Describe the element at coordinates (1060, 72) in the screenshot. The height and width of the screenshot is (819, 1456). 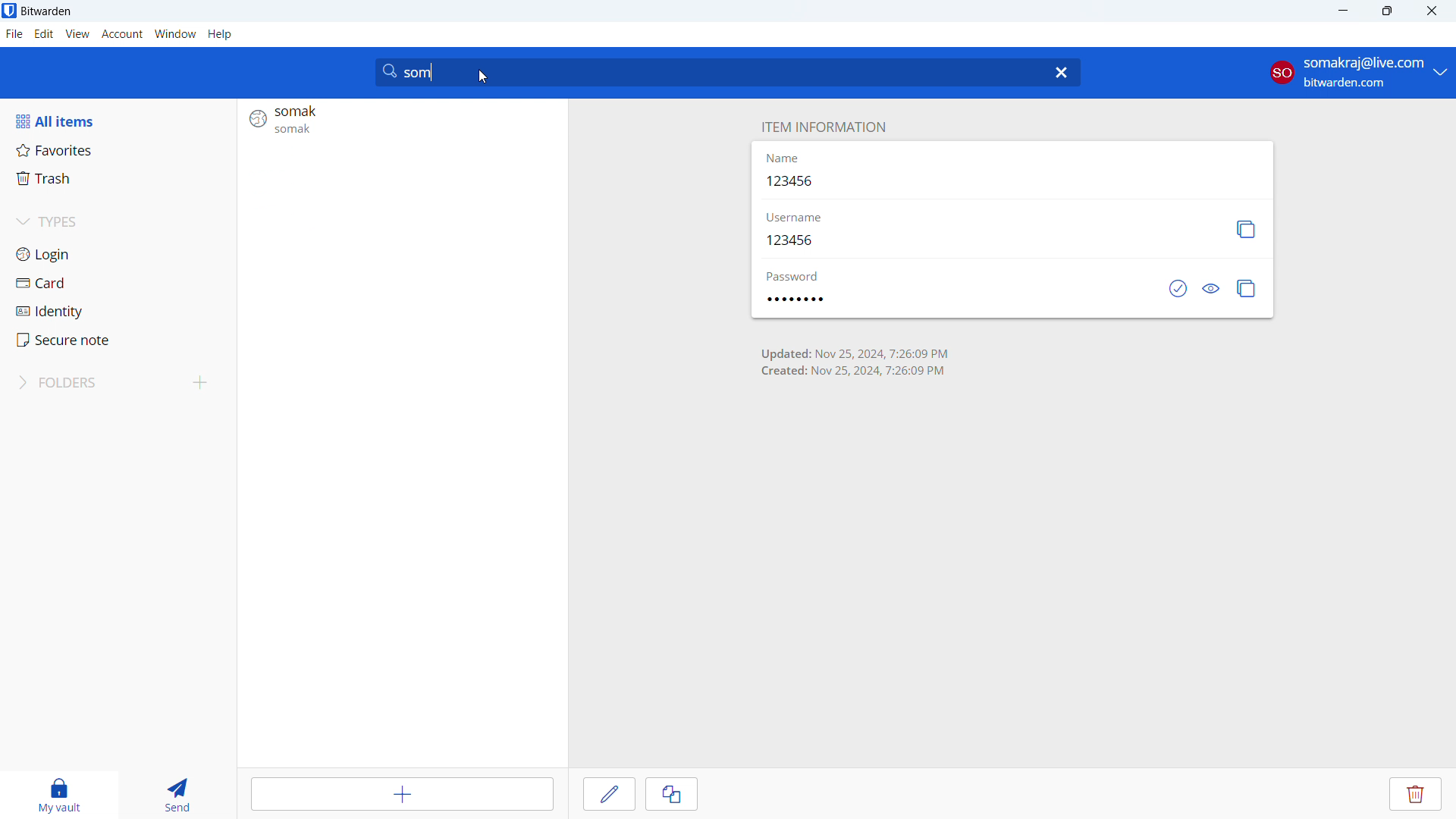
I see `delete search string` at that location.